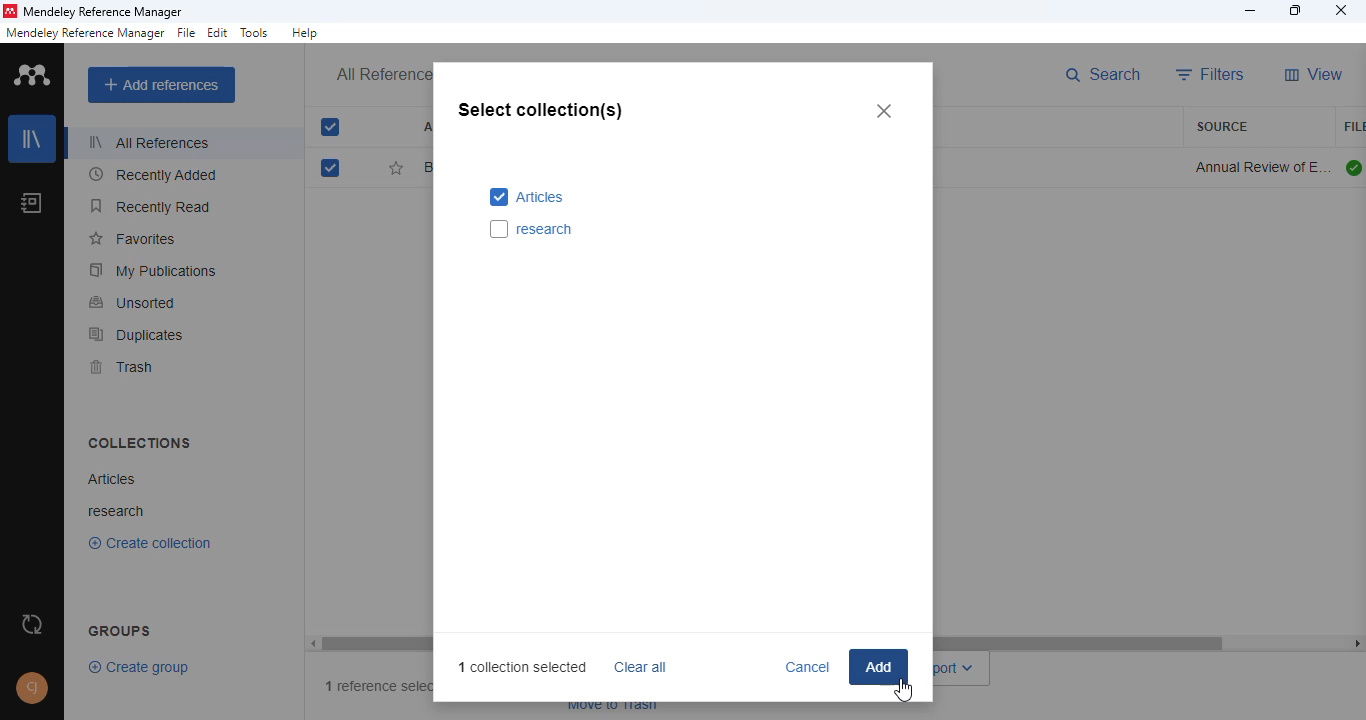 This screenshot has width=1366, height=720. I want to click on trash, so click(122, 367).